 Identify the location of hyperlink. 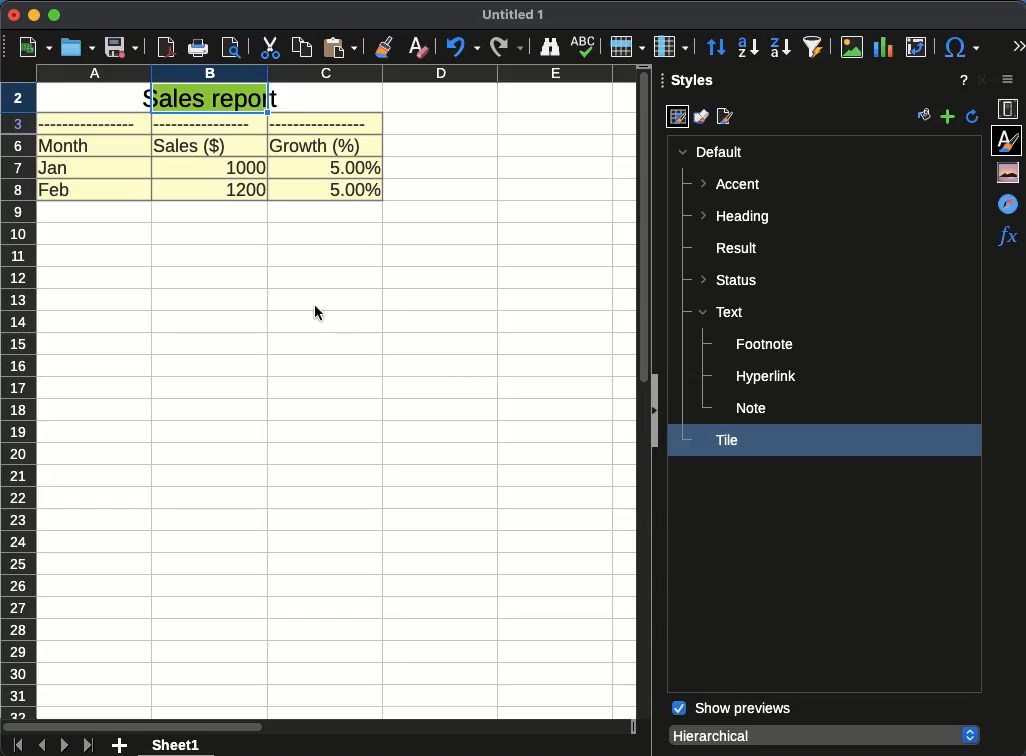
(766, 378).